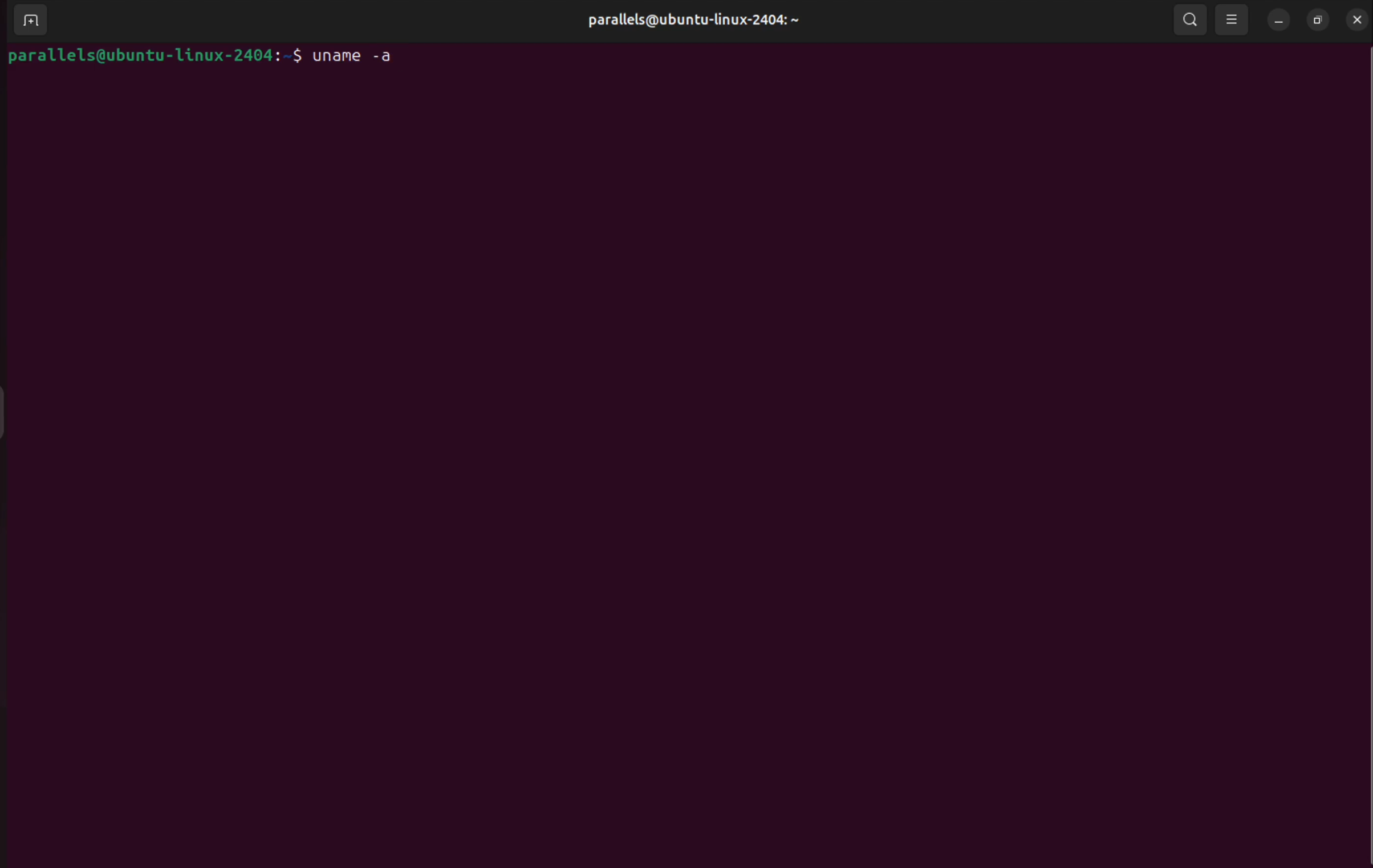 Image resolution: width=1373 pixels, height=868 pixels. Describe the element at coordinates (1191, 21) in the screenshot. I see `search` at that location.